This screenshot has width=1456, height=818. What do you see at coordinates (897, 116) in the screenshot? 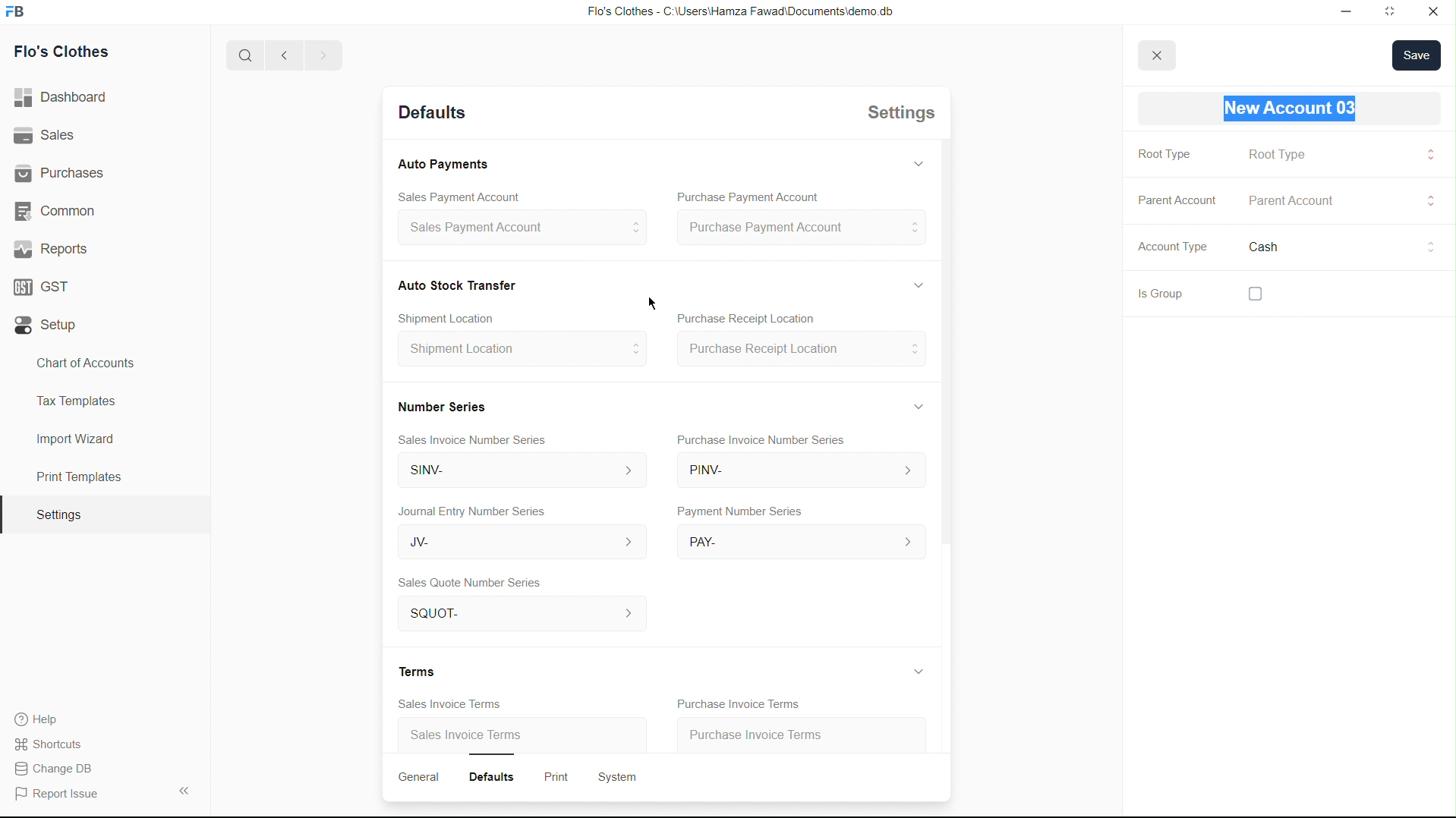
I see `Settings` at bounding box center [897, 116].